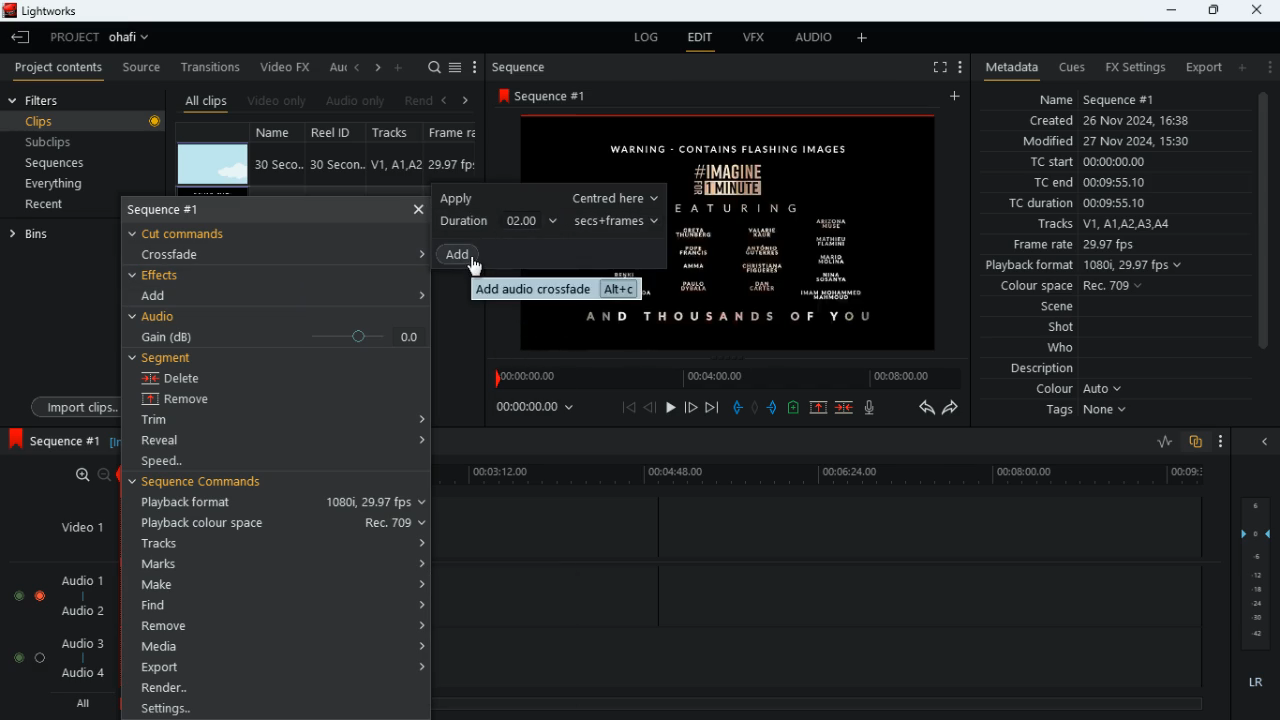 This screenshot has width=1280, height=720. I want to click on right, so click(466, 100).